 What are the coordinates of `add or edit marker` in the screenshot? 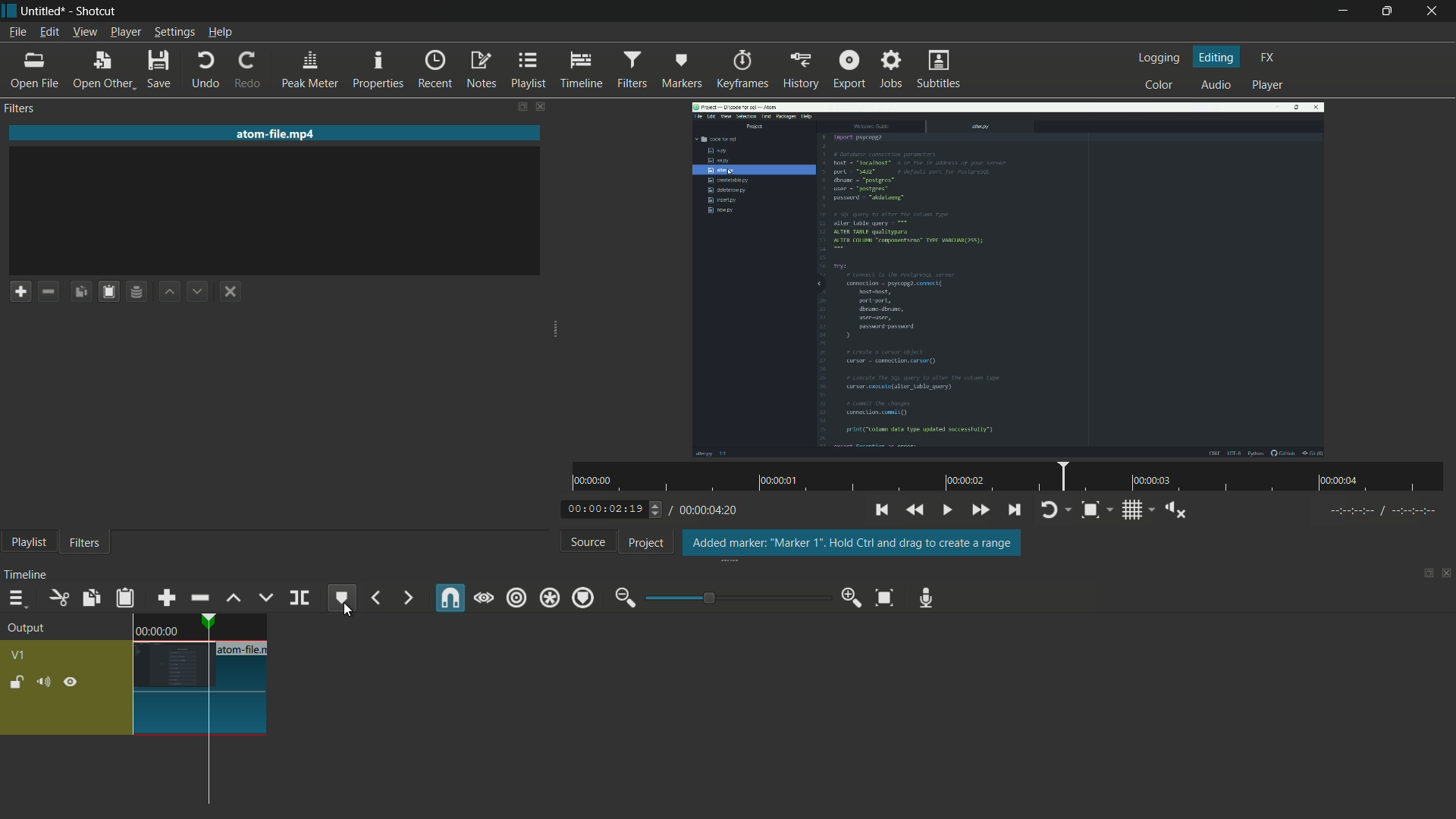 It's located at (344, 599).